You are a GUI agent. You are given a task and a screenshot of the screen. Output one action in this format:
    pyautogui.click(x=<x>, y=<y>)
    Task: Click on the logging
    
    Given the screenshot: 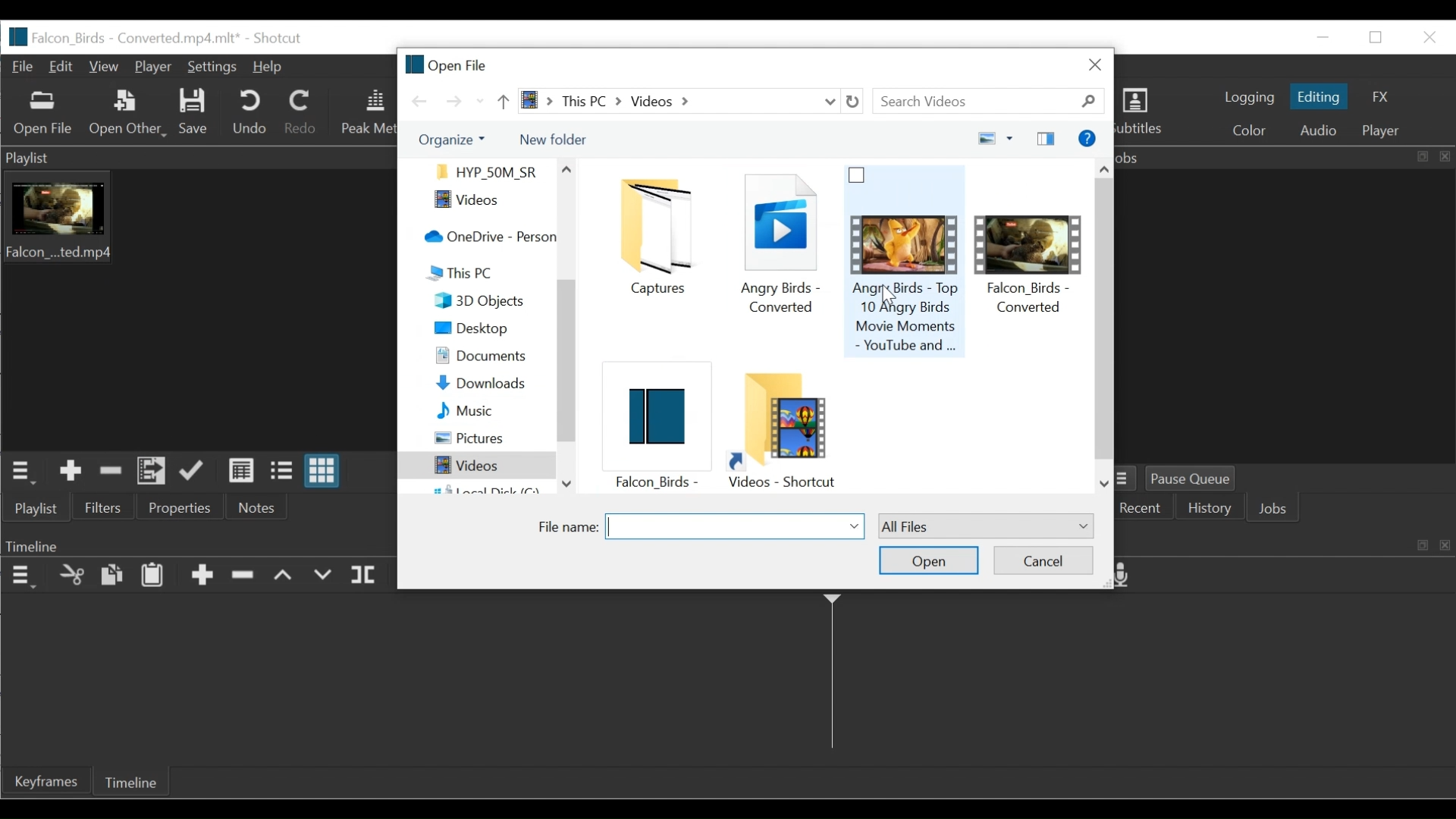 What is the action you would take?
    pyautogui.click(x=1247, y=99)
    